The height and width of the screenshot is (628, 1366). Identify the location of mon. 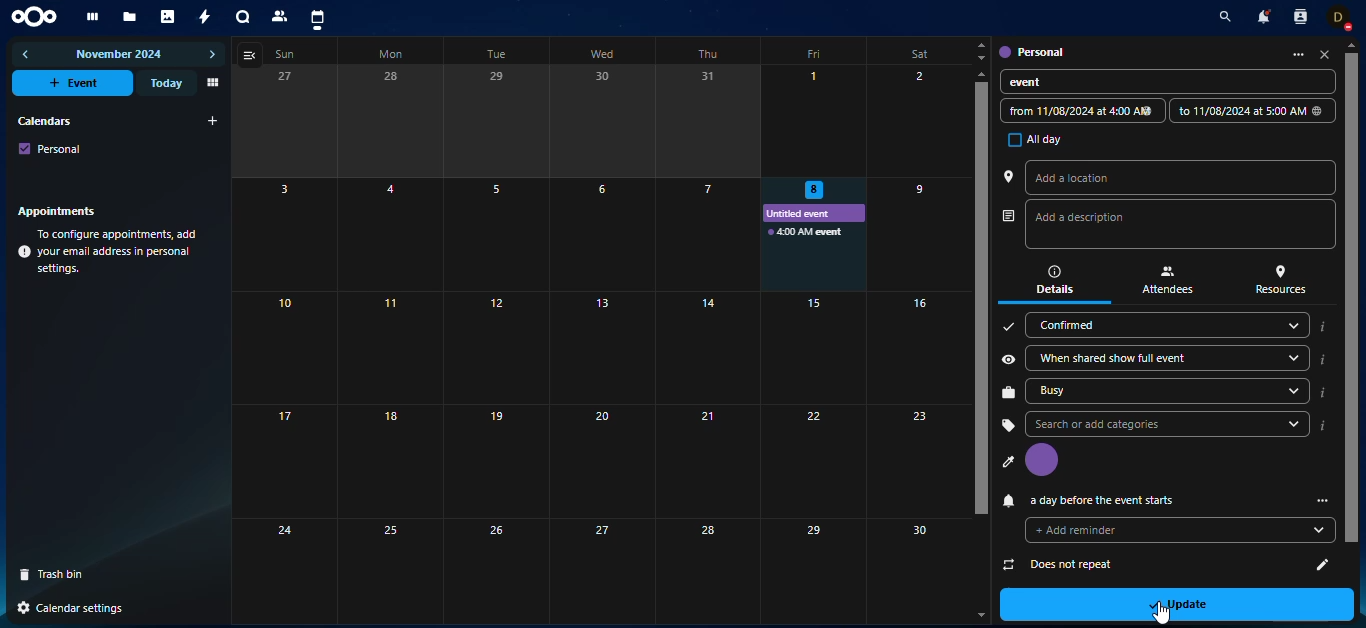
(394, 53).